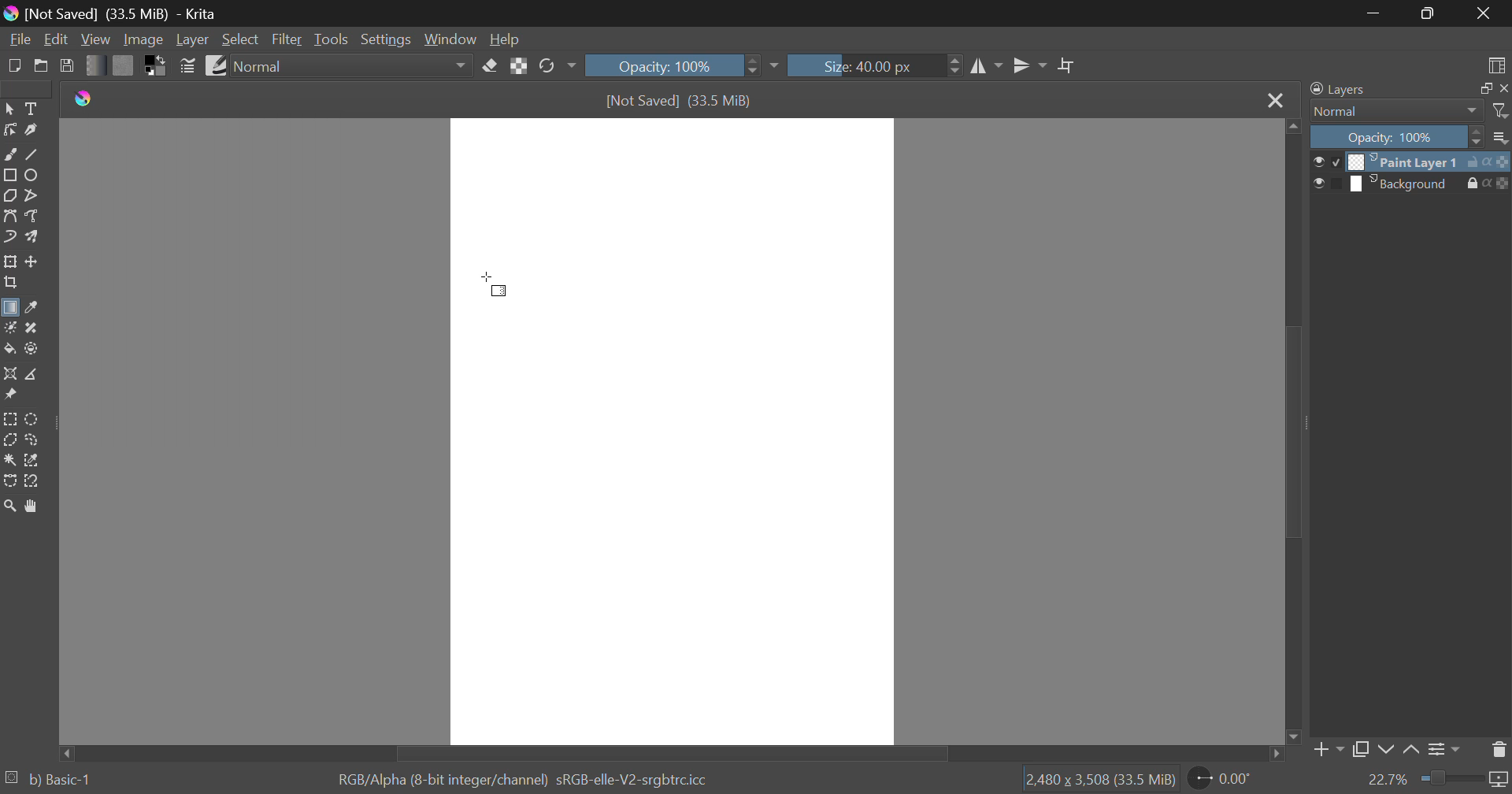 This screenshot has width=1512, height=794. I want to click on Multibrush Tool, so click(31, 238).